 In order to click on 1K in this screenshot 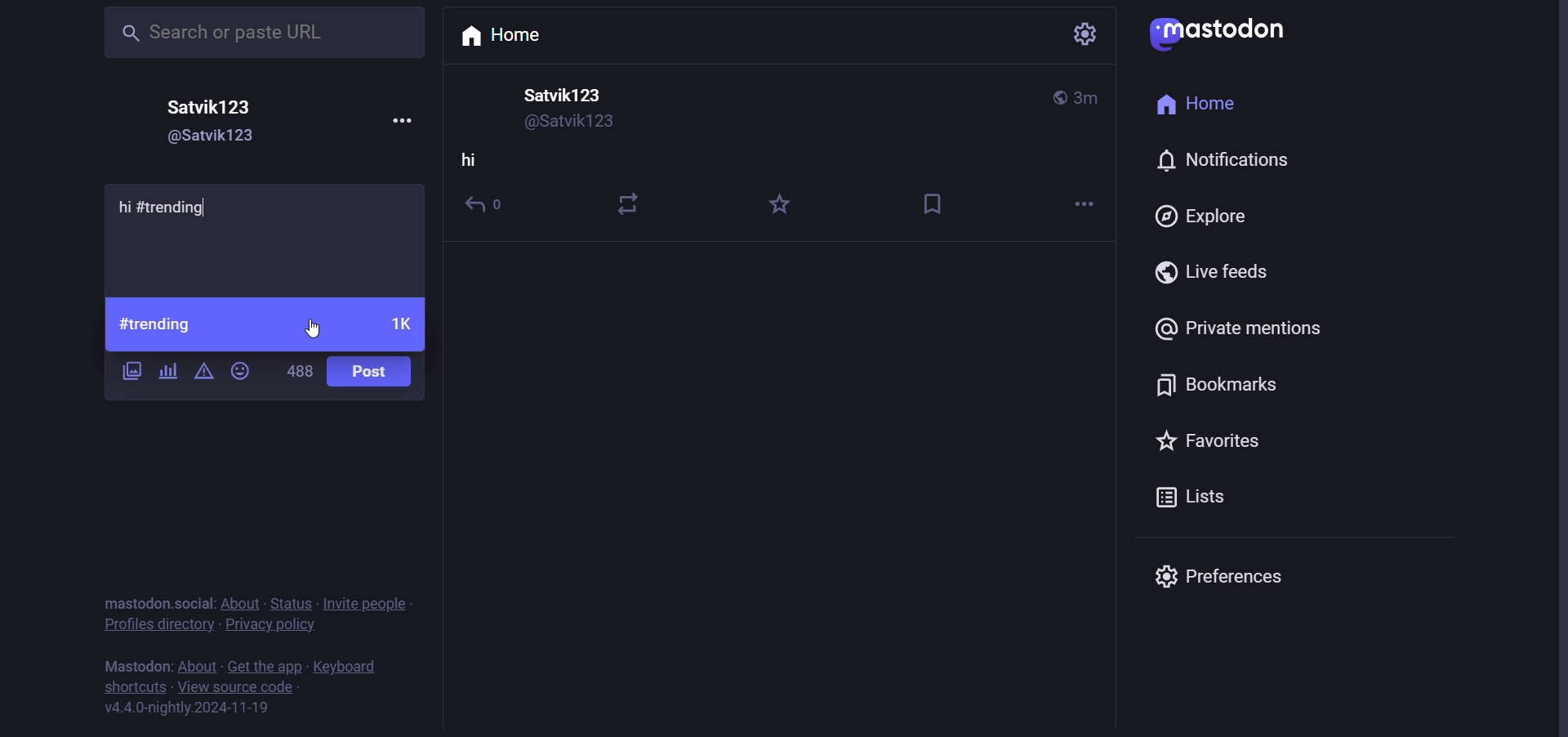, I will do `click(401, 326)`.